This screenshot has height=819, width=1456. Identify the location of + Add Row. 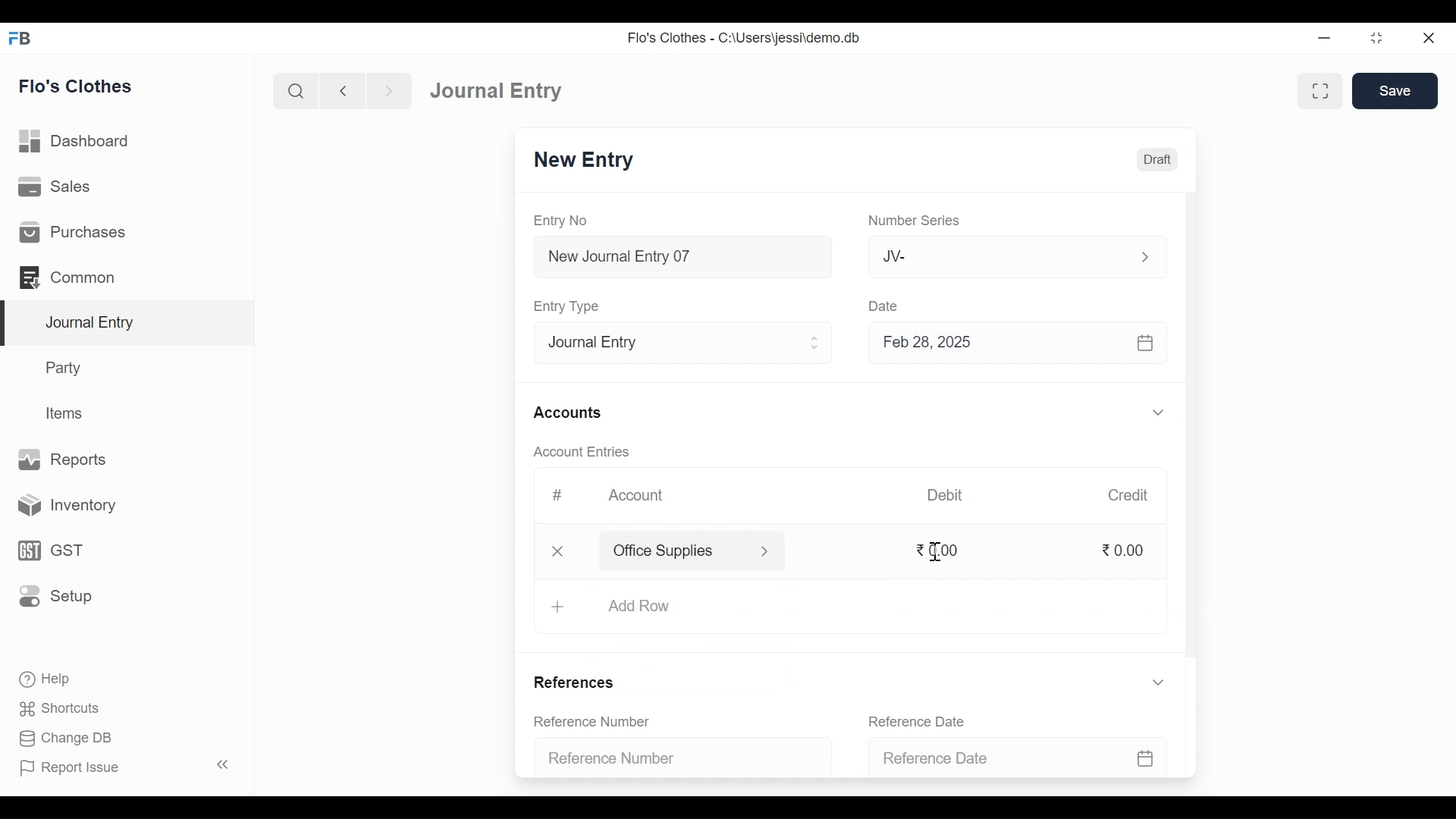
(633, 607).